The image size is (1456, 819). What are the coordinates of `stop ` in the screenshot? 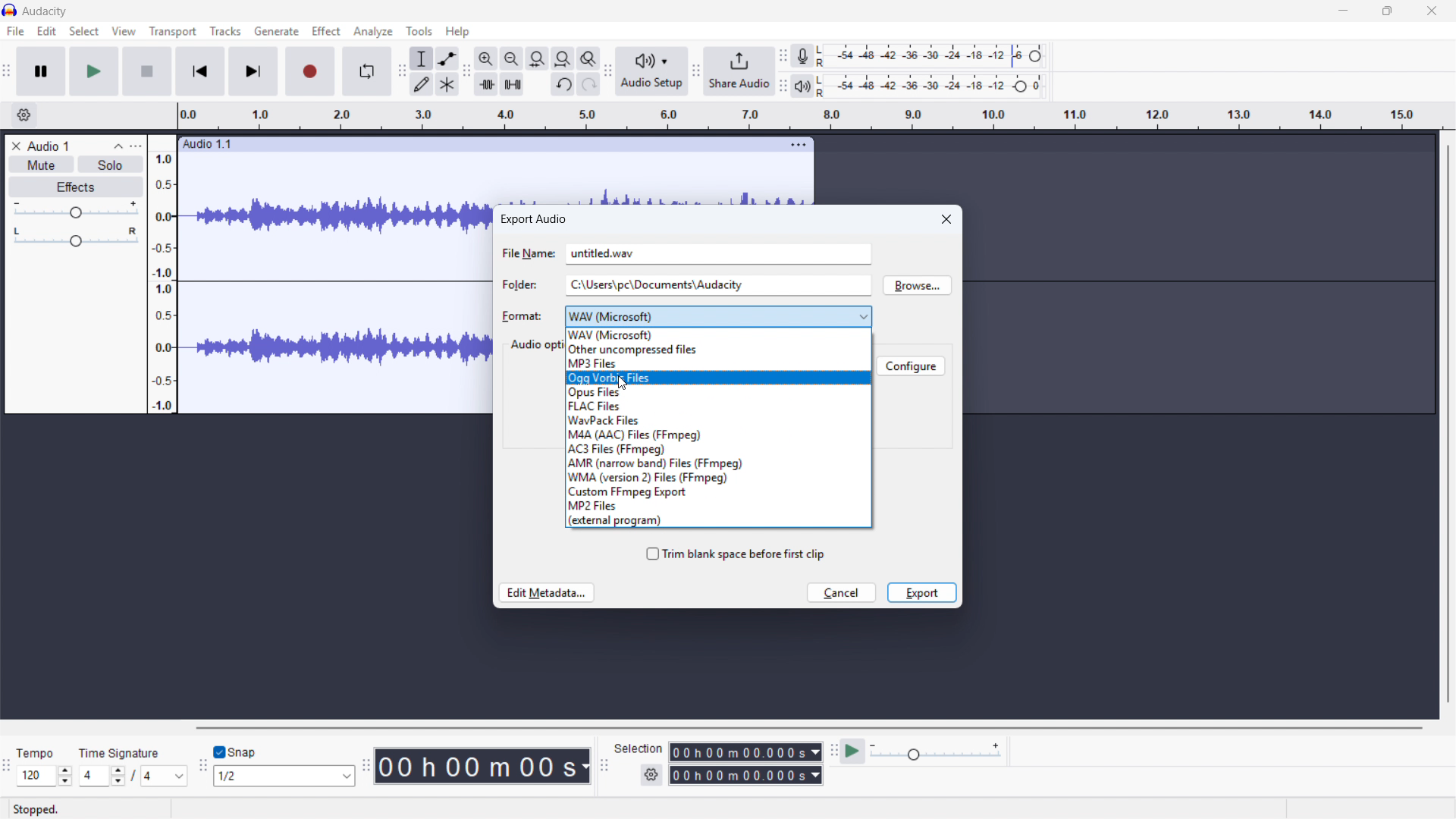 It's located at (147, 71).